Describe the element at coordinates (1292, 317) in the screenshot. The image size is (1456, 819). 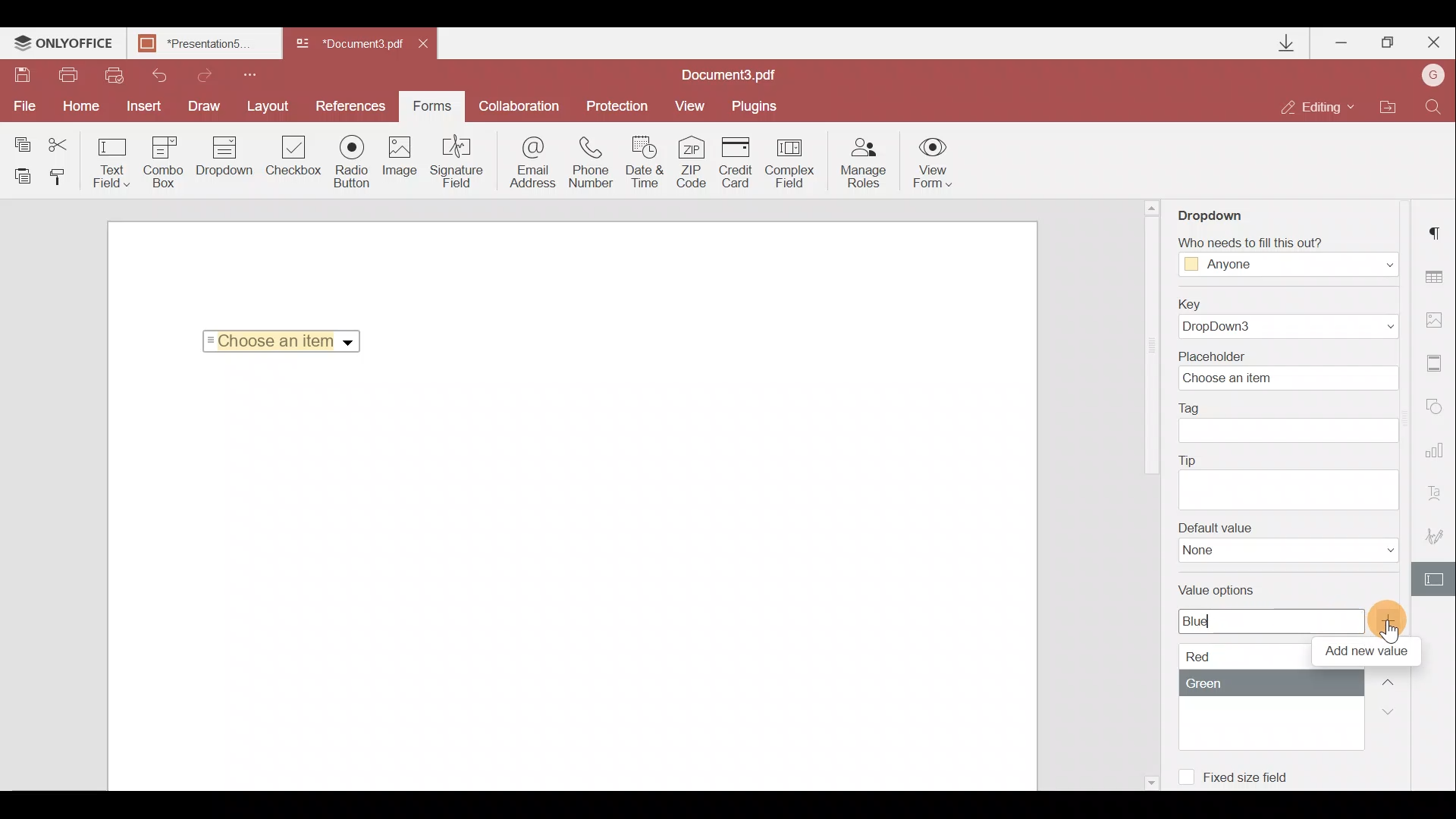
I see `Key` at that location.